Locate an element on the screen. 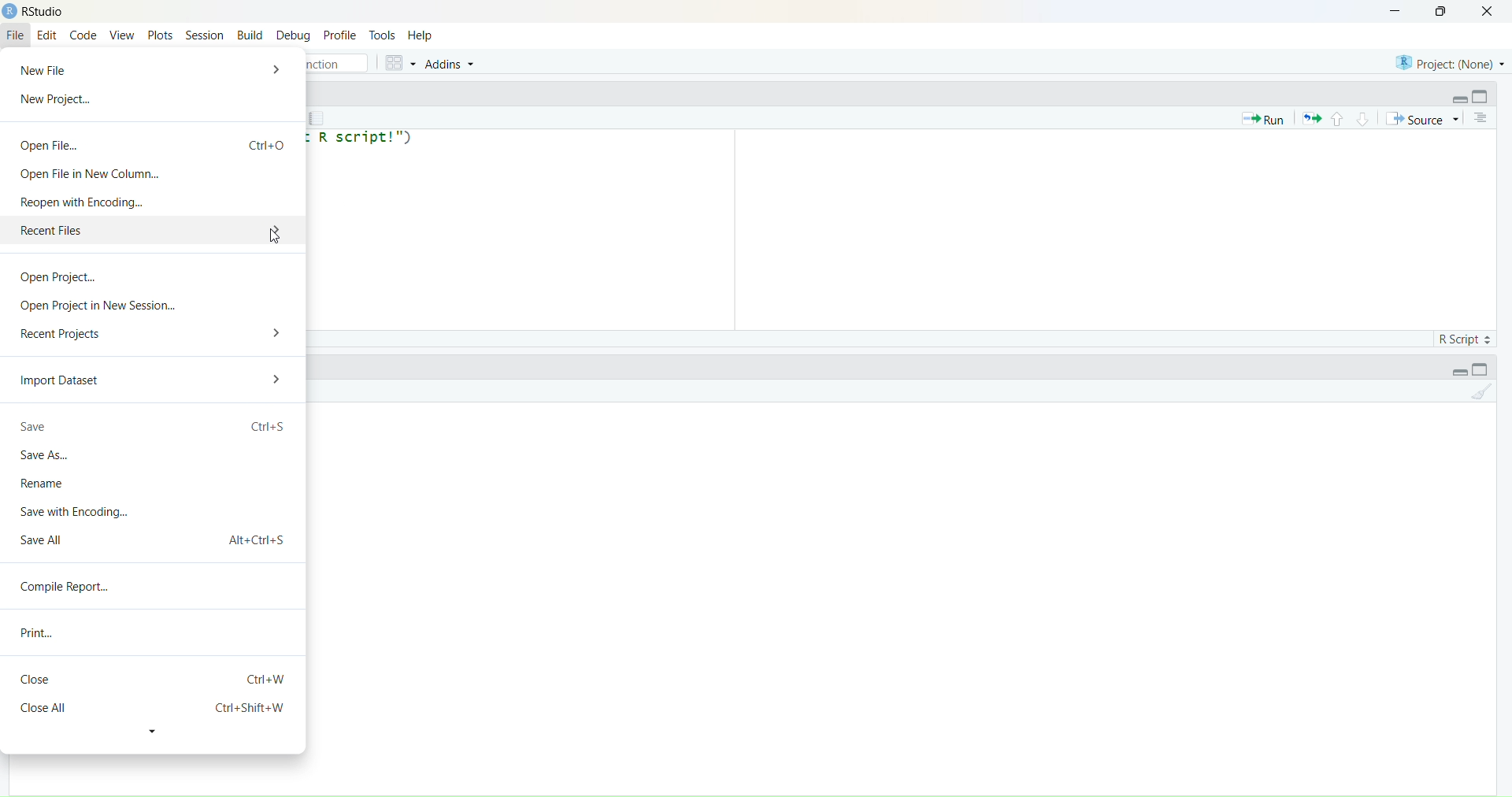  Open File... Ctrl + o is located at coordinates (154, 140).